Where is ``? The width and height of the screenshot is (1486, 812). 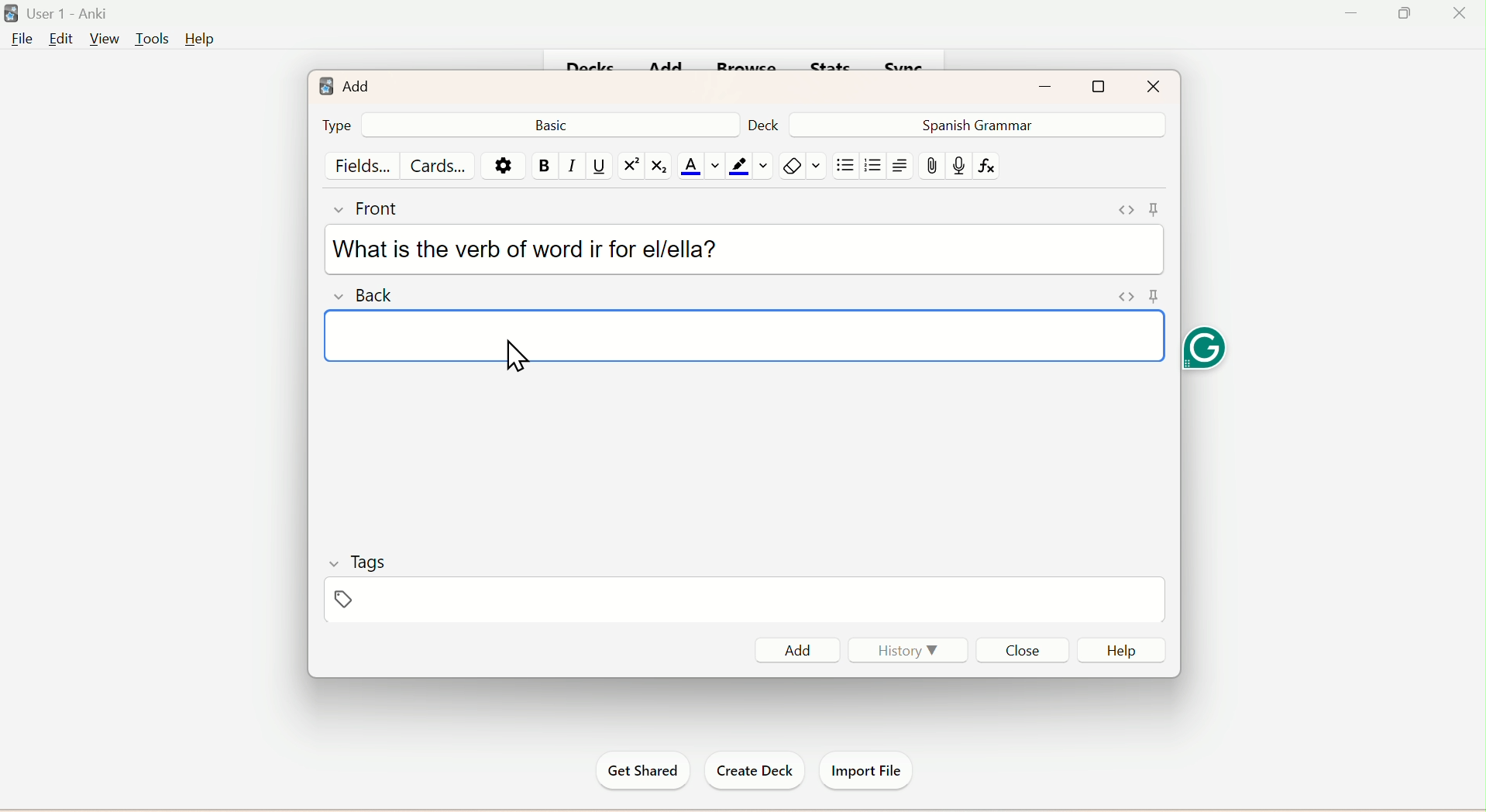
 is located at coordinates (365, 295).